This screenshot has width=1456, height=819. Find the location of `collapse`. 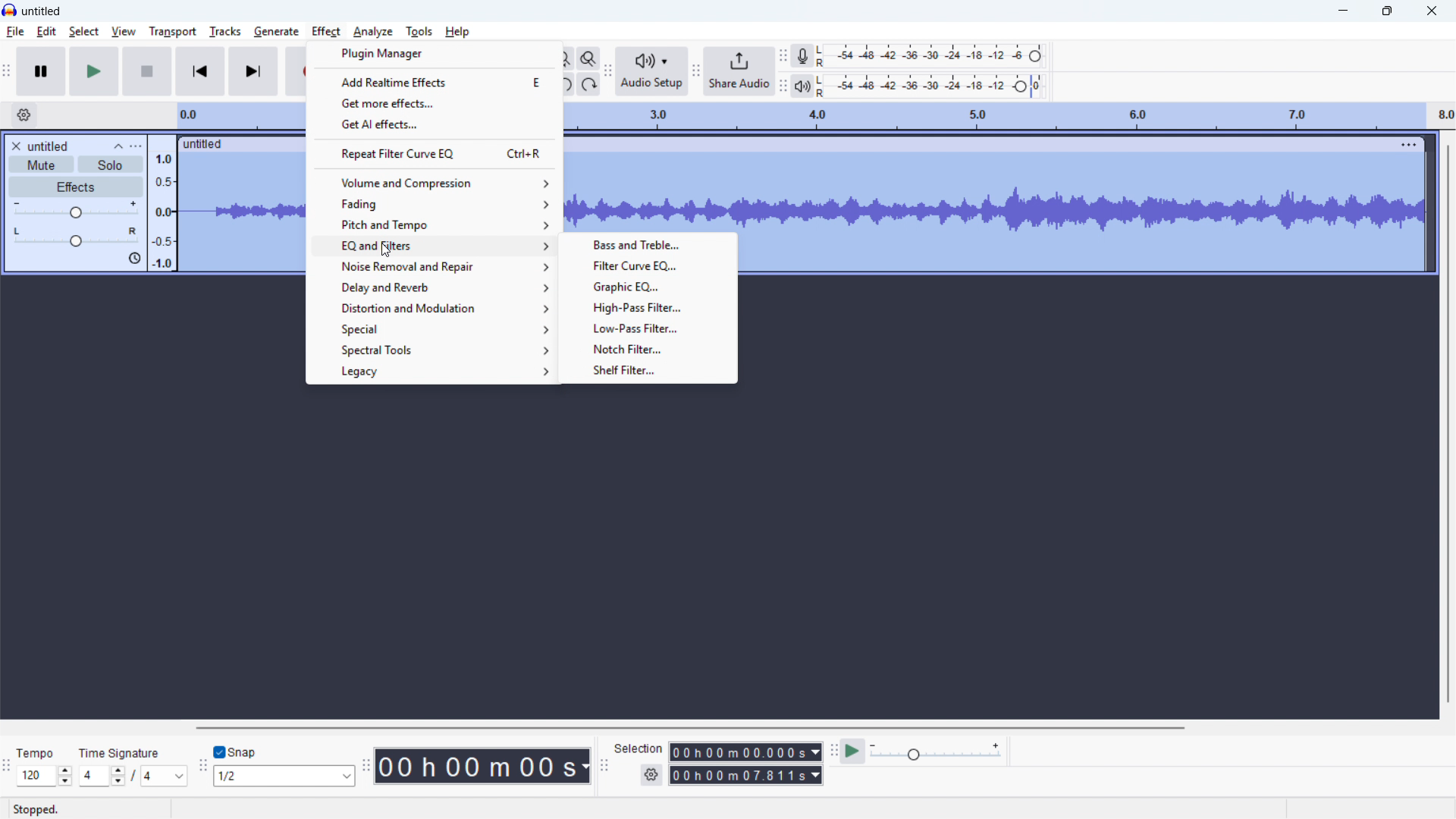

collapse is located at coordinates (118, 146).